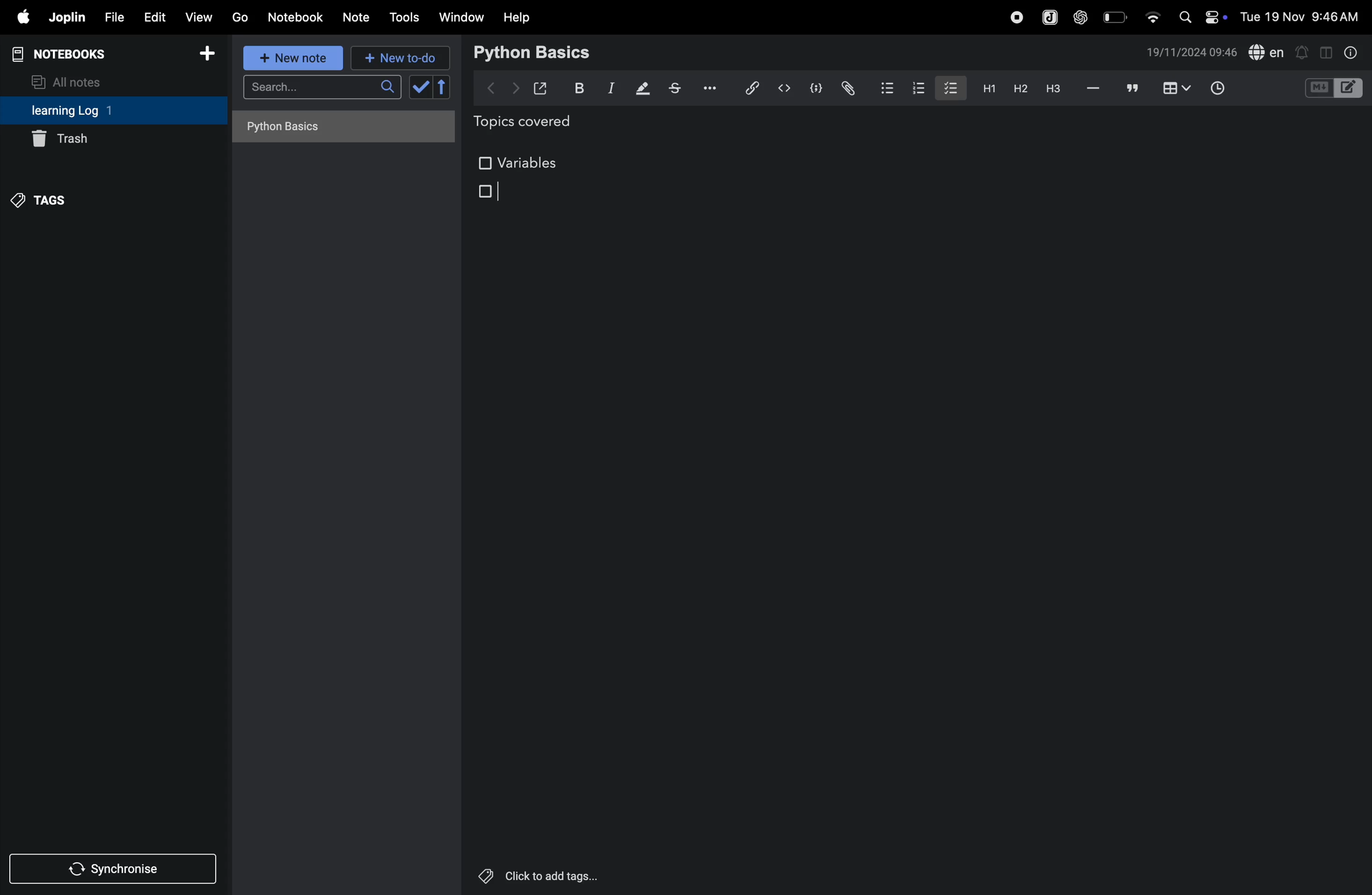 This screenshot has width=1372, height=895. I want to click on joplin, so click(66, 17).